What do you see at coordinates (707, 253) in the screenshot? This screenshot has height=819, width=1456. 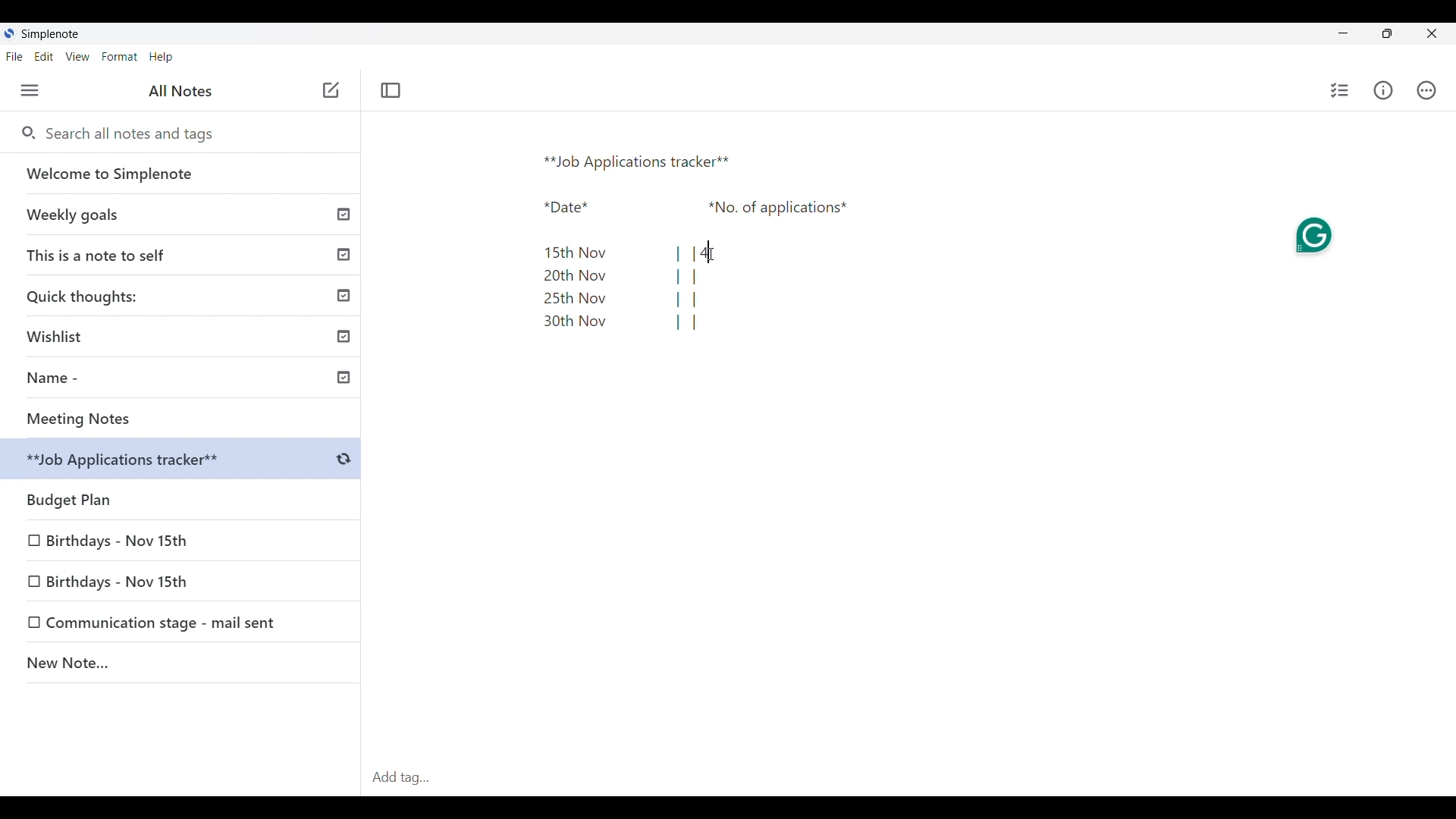 I see `Text cursor` at bounding box center [707, 253].